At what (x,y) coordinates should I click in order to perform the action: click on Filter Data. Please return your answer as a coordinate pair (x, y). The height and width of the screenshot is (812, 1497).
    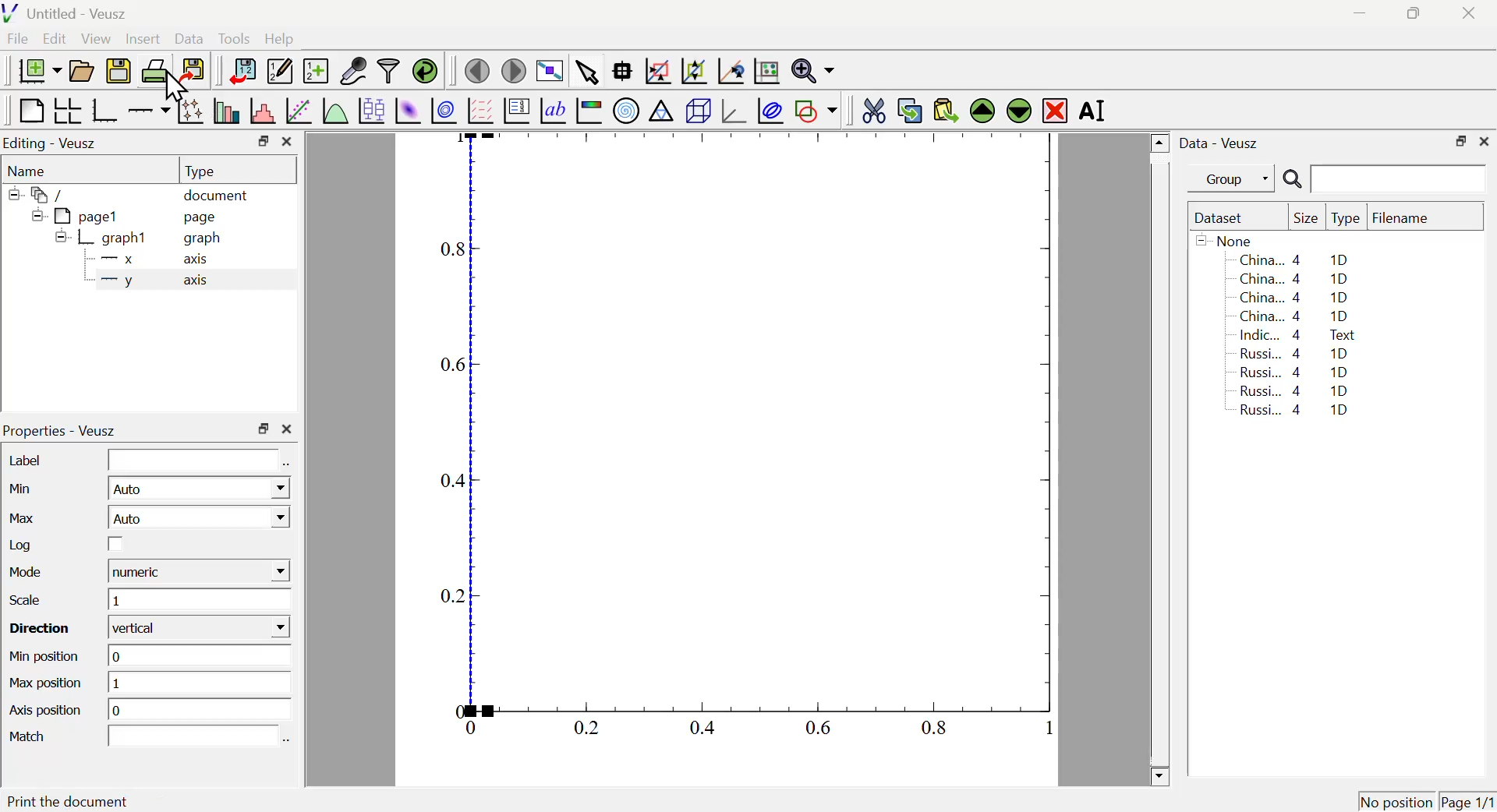
    Looking at the image, I should click on (388, 69).